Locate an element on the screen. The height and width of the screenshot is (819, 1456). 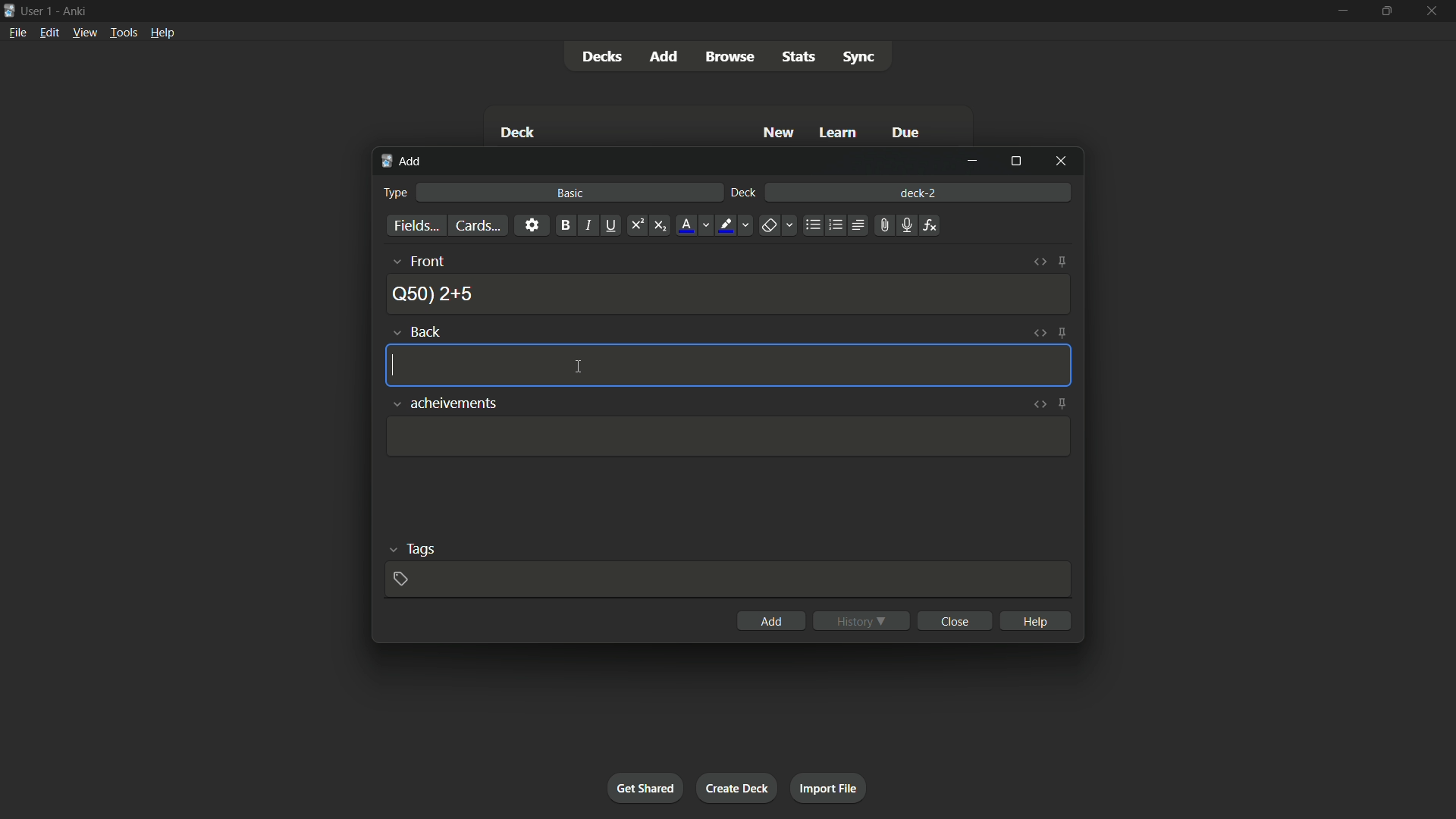
superscript is located at coordinates (636, 225).